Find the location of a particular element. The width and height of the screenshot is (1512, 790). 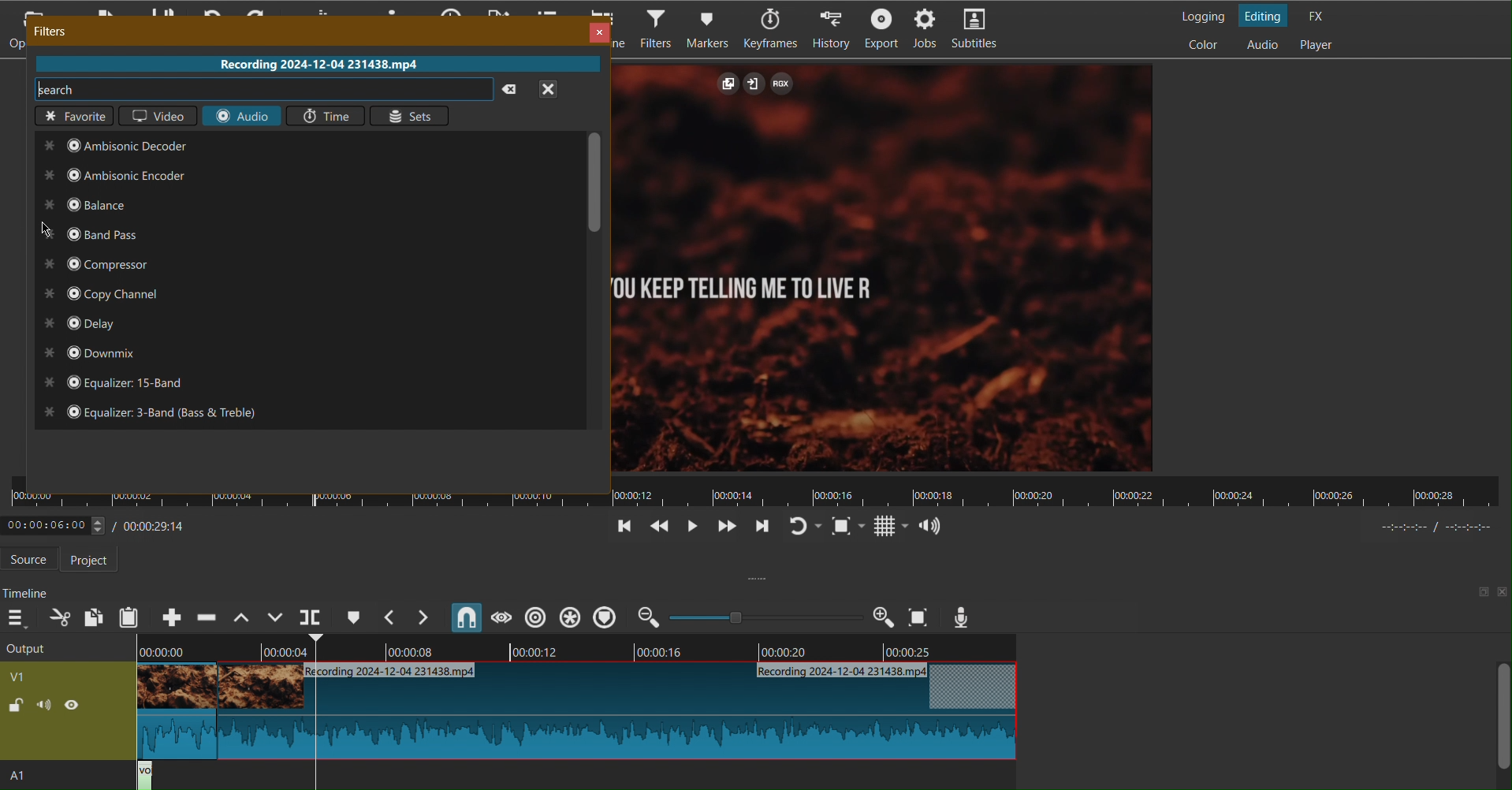

Time is located at coordinates (326, 114).